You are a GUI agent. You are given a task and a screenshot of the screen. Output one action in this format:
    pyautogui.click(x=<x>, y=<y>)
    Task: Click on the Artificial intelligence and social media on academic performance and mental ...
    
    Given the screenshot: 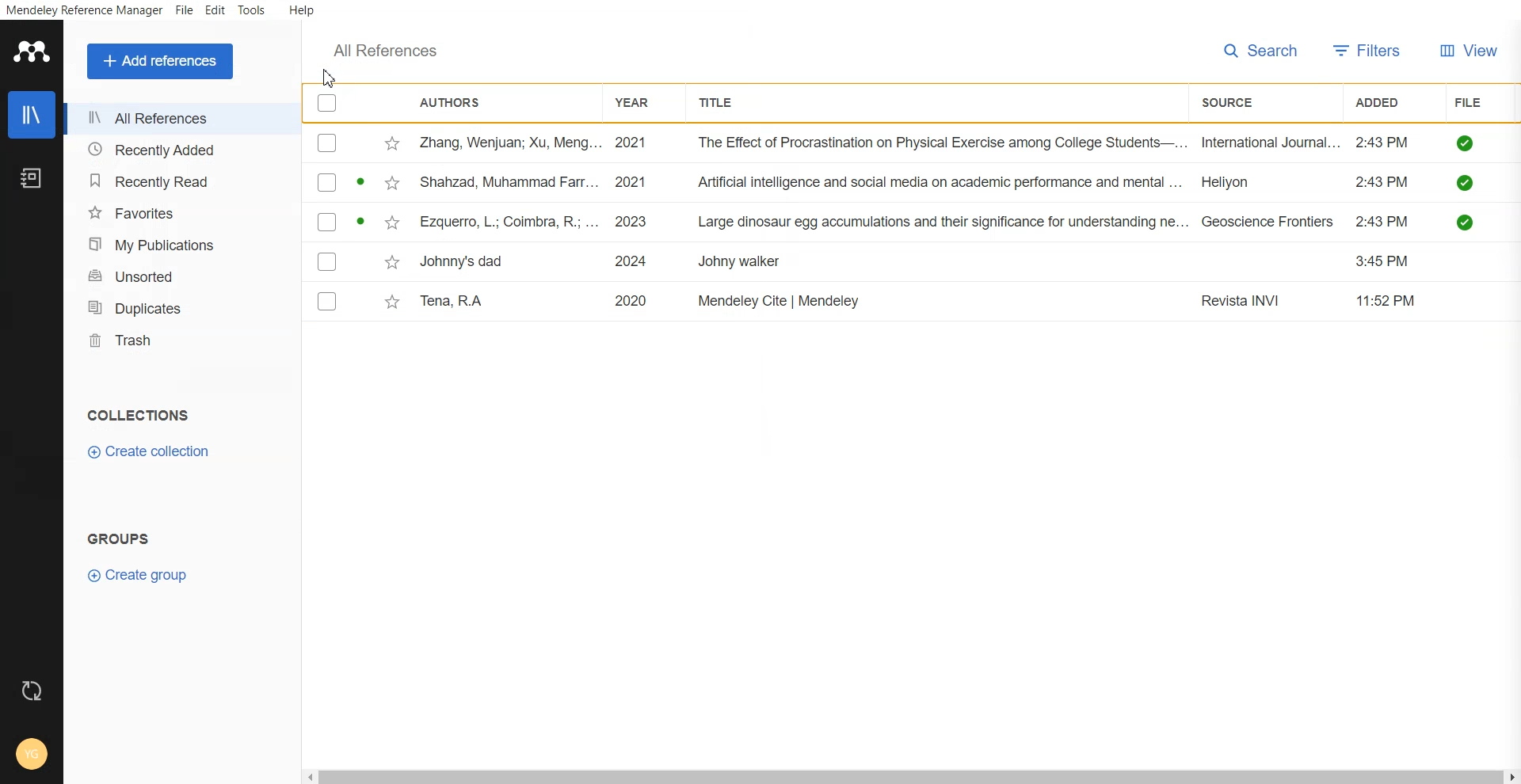 What is the action you would take?
    pyautogui.click(x=941, y=183)
    